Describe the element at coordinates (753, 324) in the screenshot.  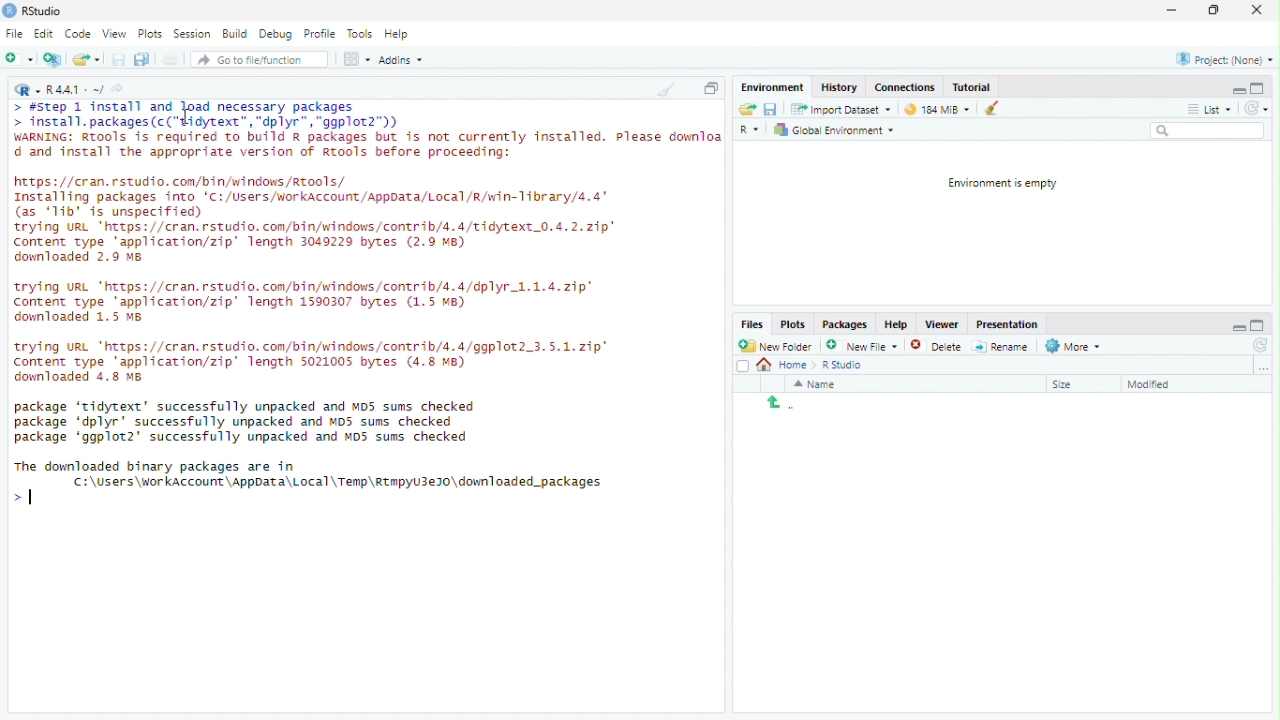
I see `Files` at that location.